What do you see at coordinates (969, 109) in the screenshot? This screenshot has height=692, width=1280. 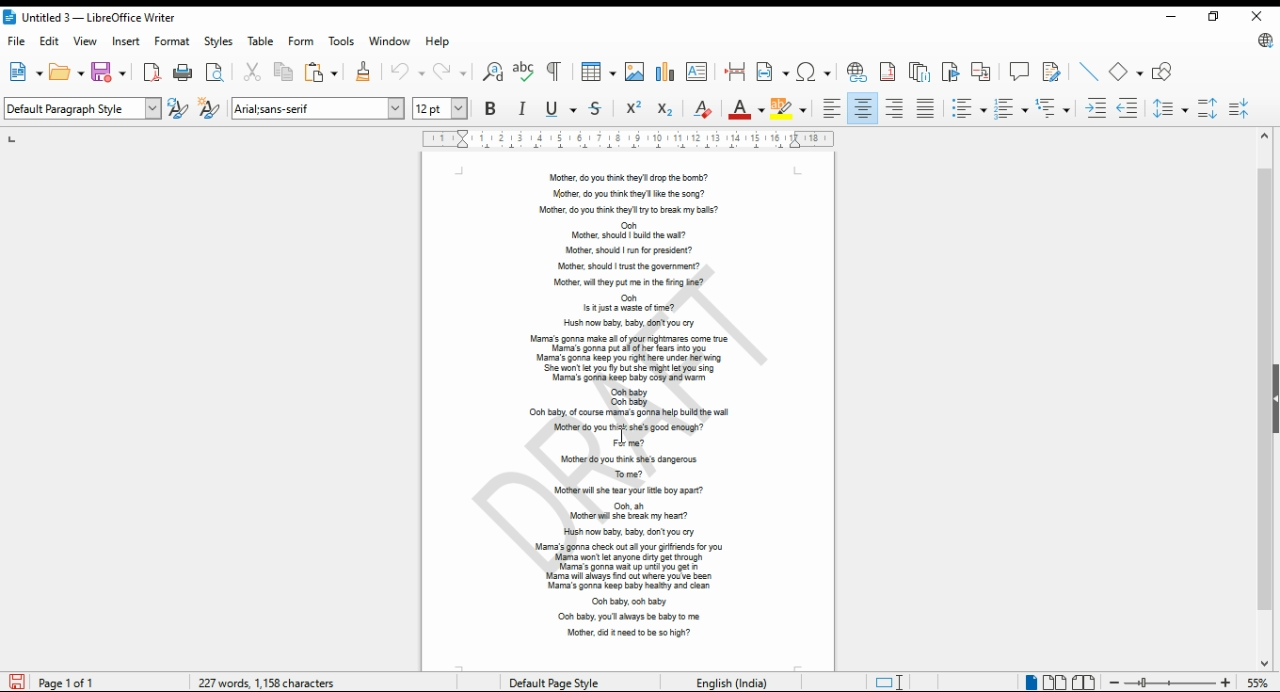 I see `toggle unordered list` at bounding box center [969, 109].